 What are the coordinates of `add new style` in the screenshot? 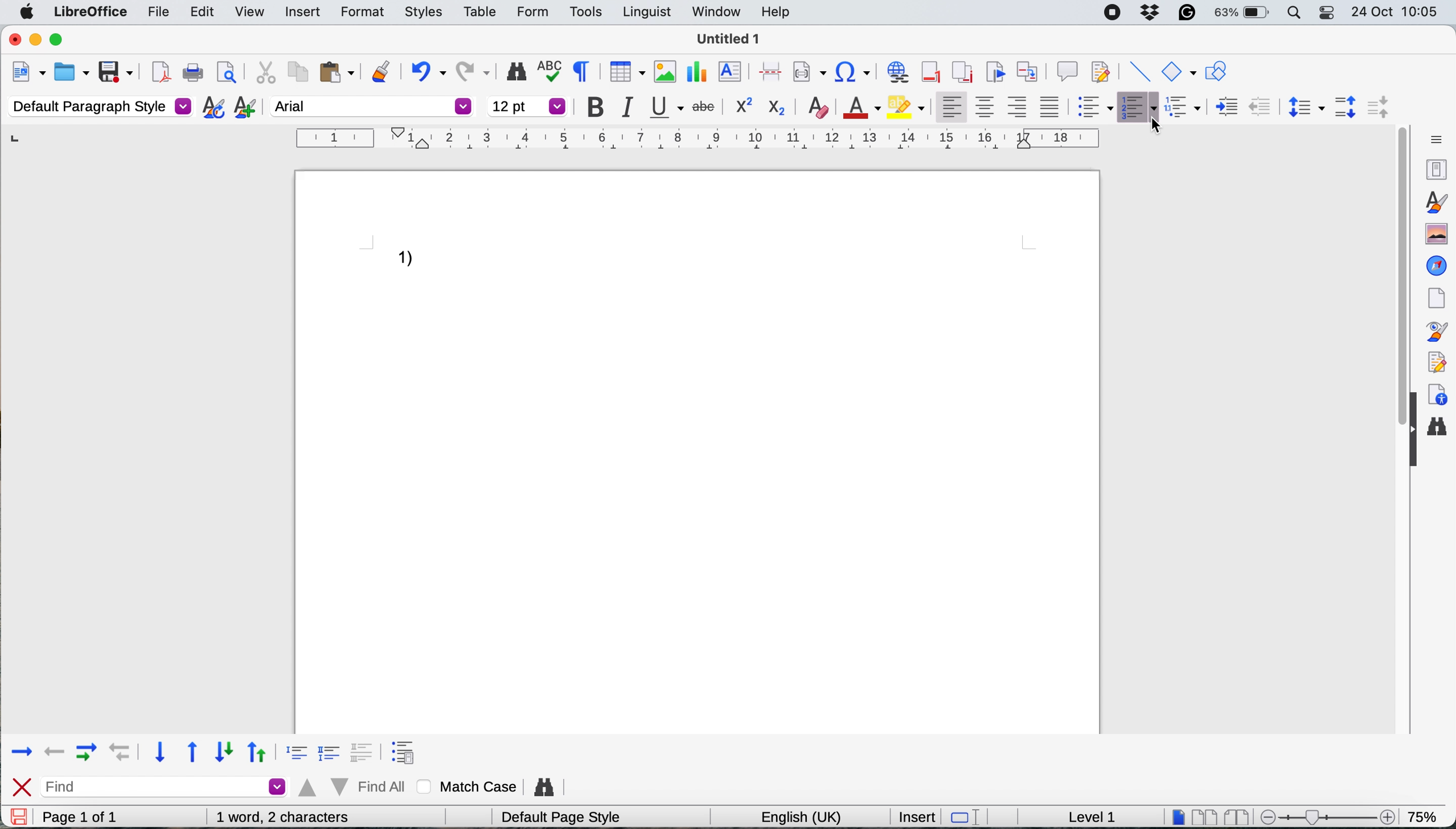 It's located at (244, 109).